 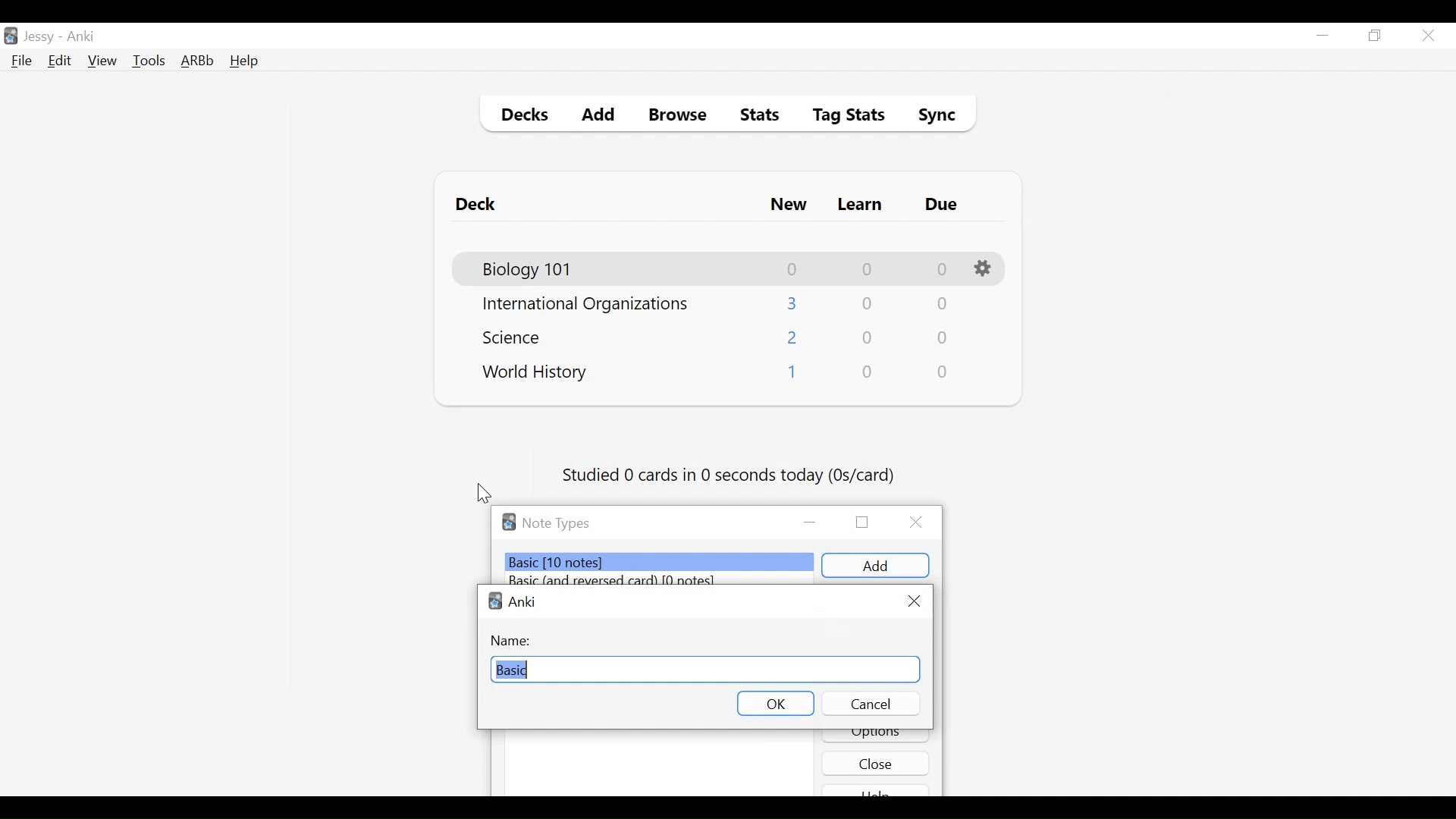 I want to click on minimize, so click(x=811, y=523).